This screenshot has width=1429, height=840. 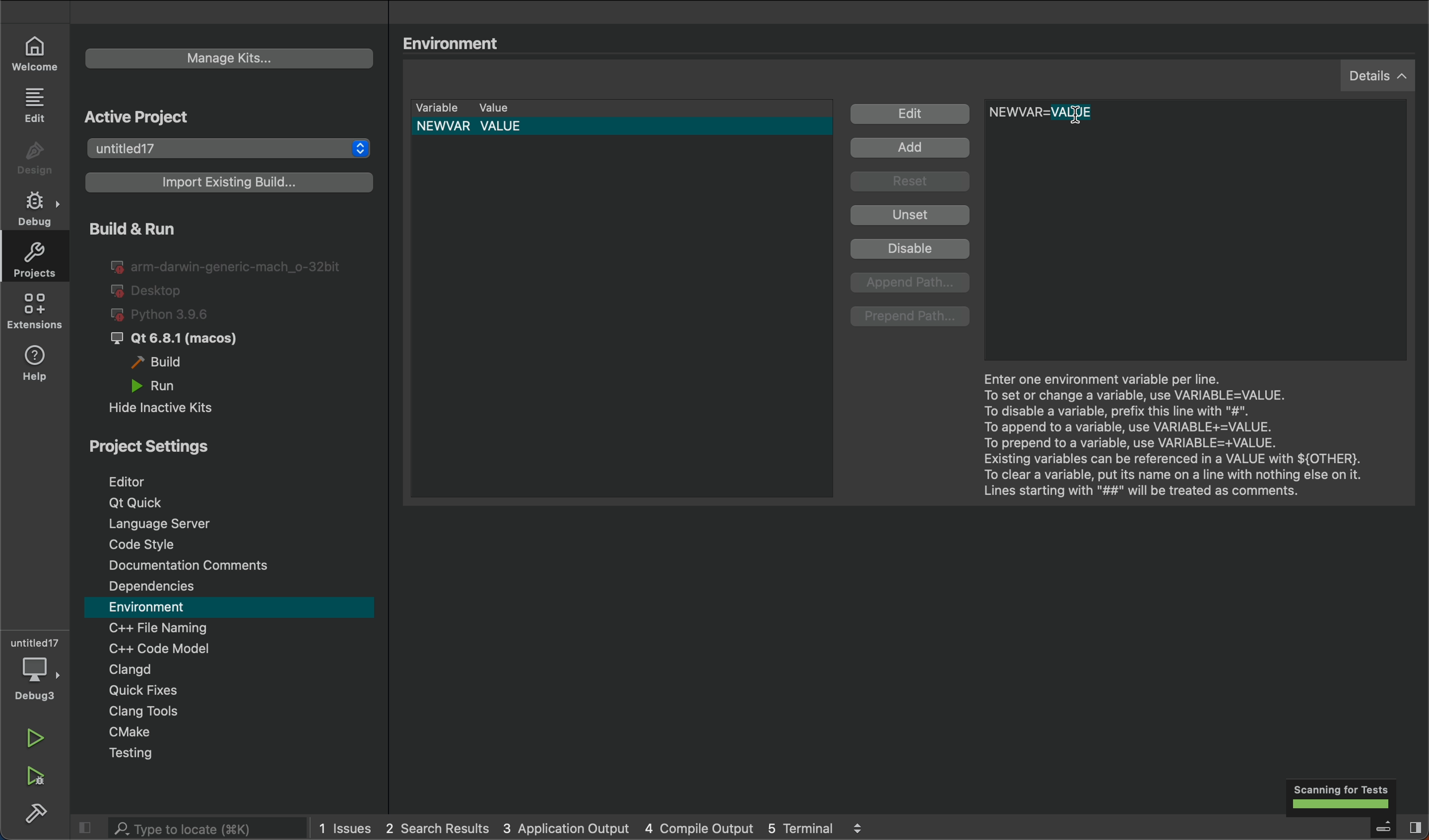 I want to click on prepend path, so click(x=912, y=317).